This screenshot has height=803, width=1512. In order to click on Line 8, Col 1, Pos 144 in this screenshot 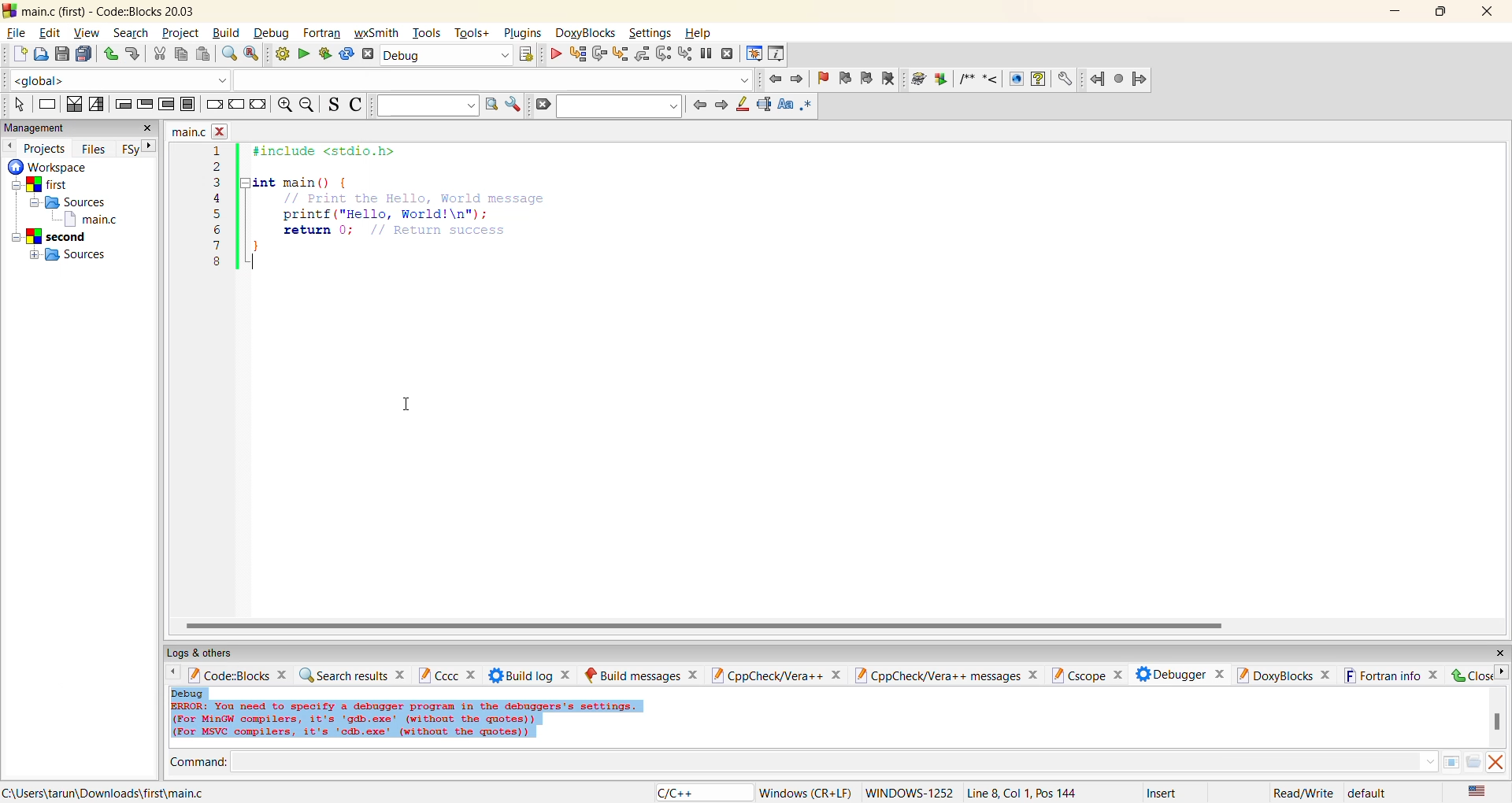, I will do `click(1021, 793)`.